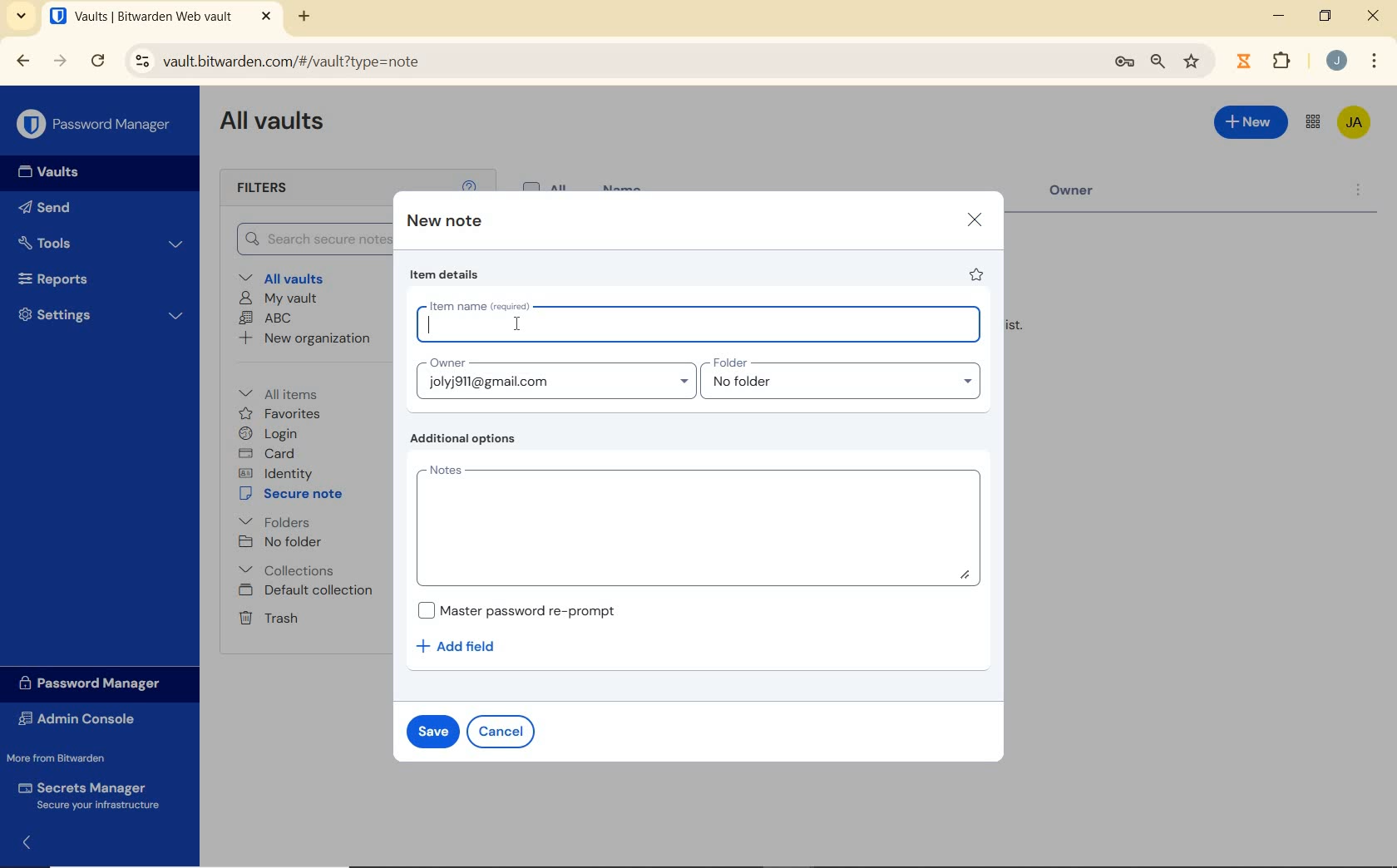 The width and height of the screenshot is (1397, 868). Describe the element at coordinates (306, 338) in the screenshot. I see `New organization` at that location.